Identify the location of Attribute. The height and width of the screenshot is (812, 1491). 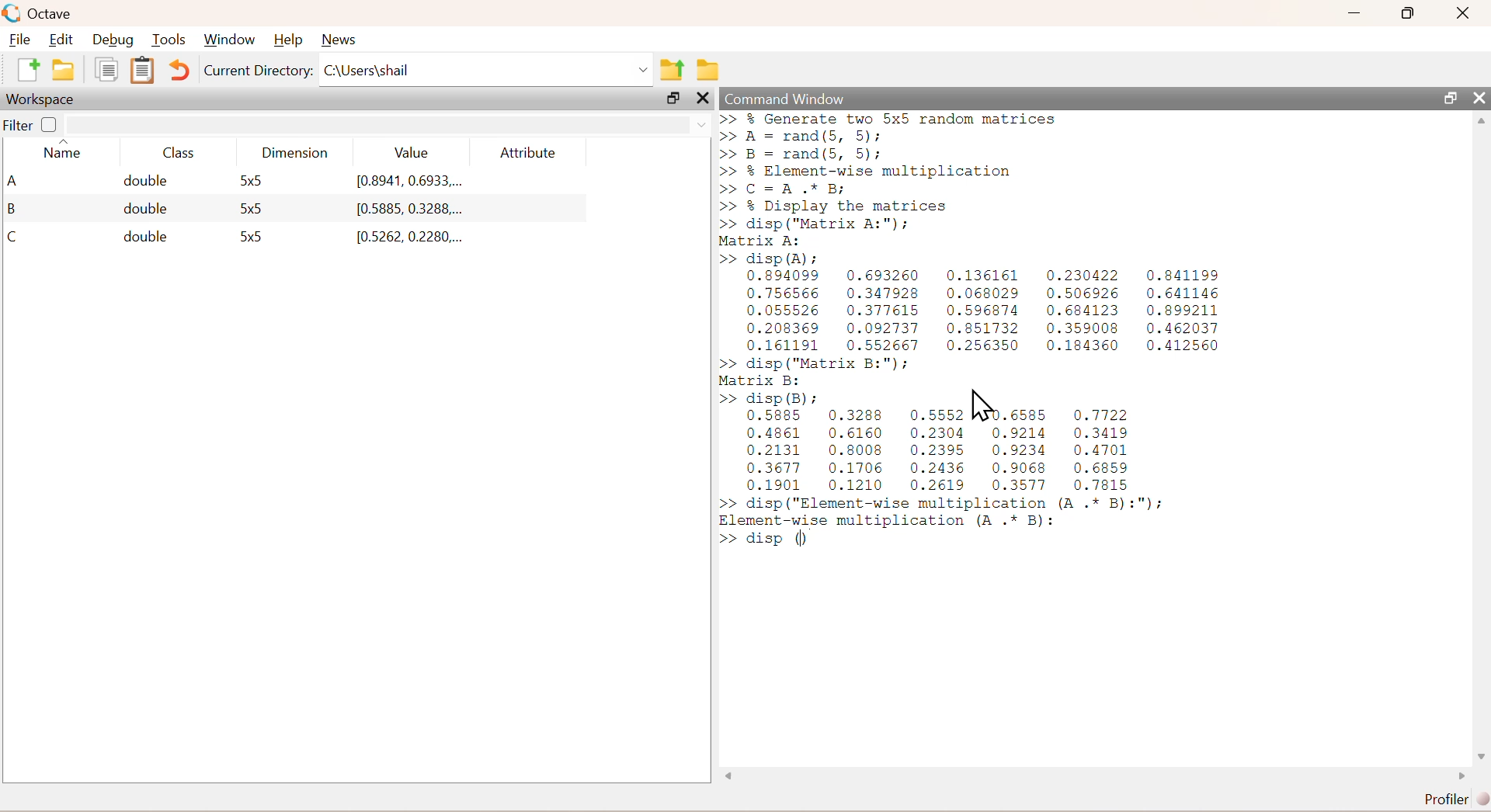
(527, 148).